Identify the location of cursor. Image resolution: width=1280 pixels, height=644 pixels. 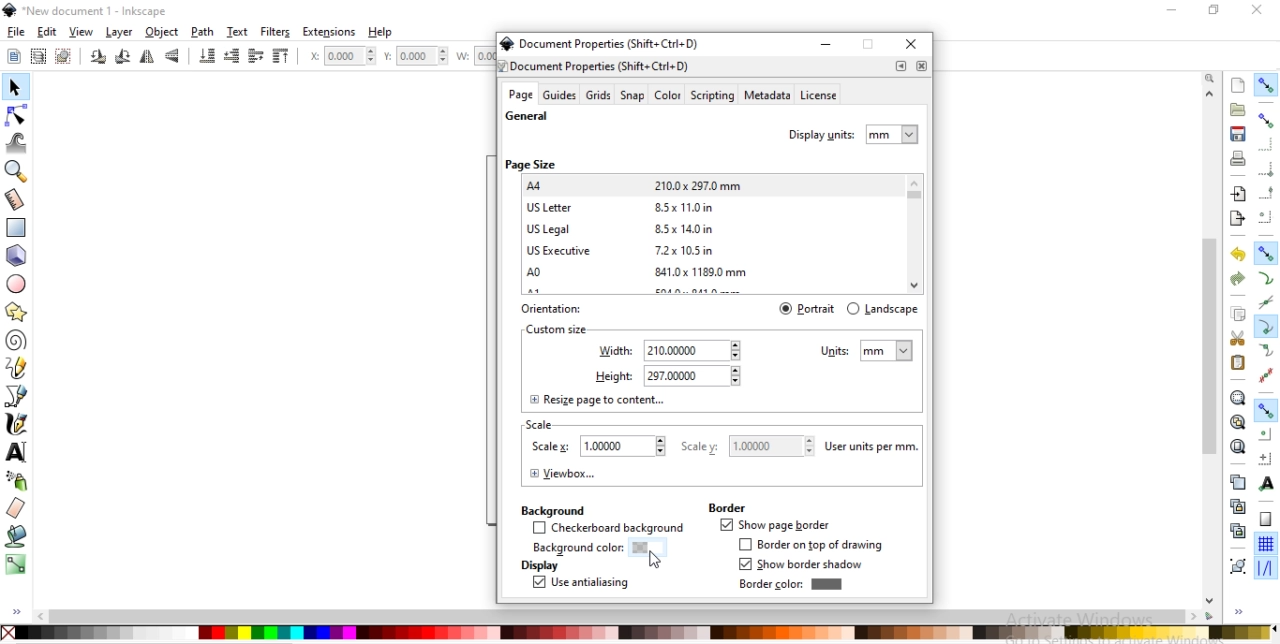
(656, 562).